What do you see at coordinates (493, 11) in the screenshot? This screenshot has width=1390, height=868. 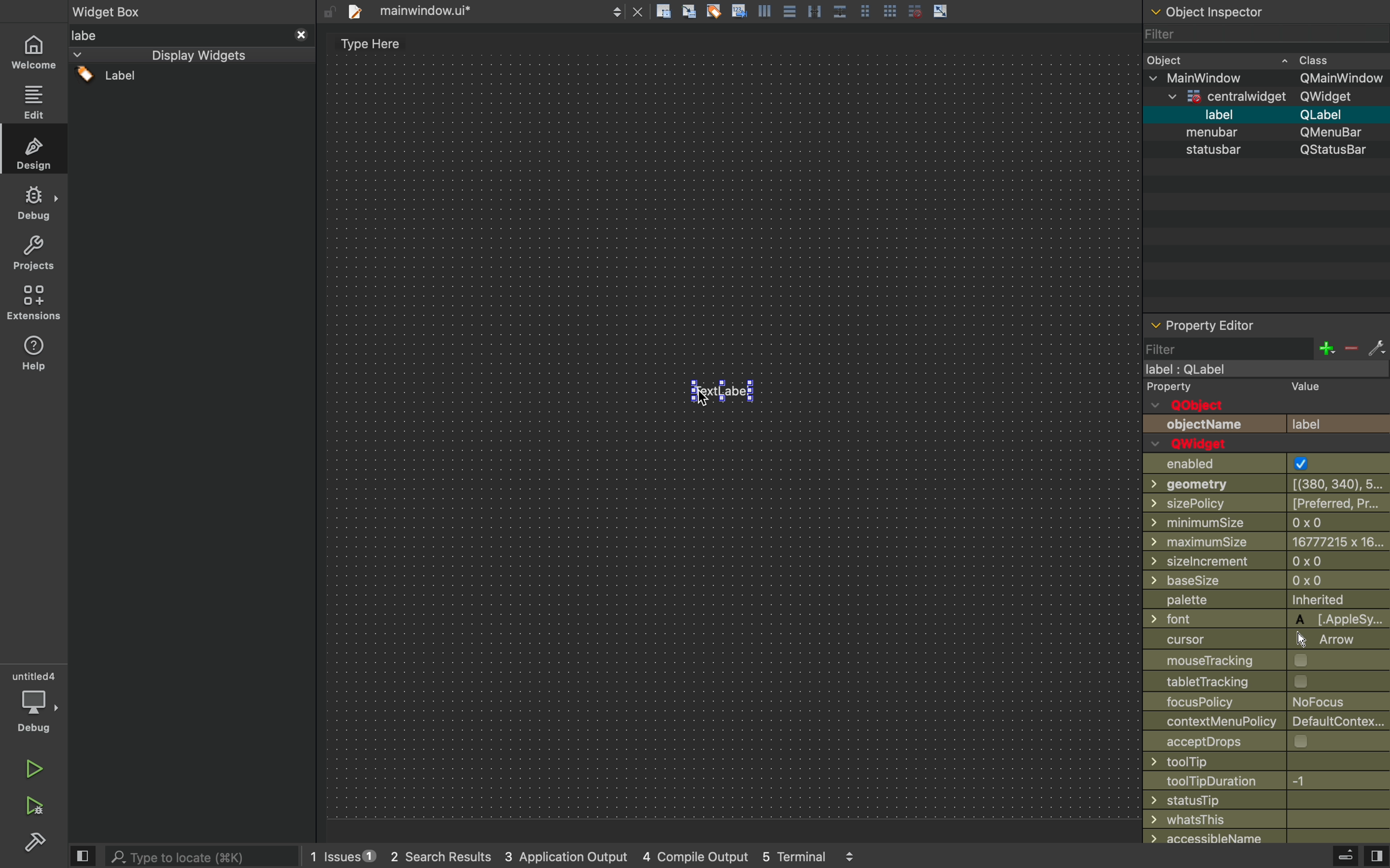 I see `file` at bounding box center [493, 11].